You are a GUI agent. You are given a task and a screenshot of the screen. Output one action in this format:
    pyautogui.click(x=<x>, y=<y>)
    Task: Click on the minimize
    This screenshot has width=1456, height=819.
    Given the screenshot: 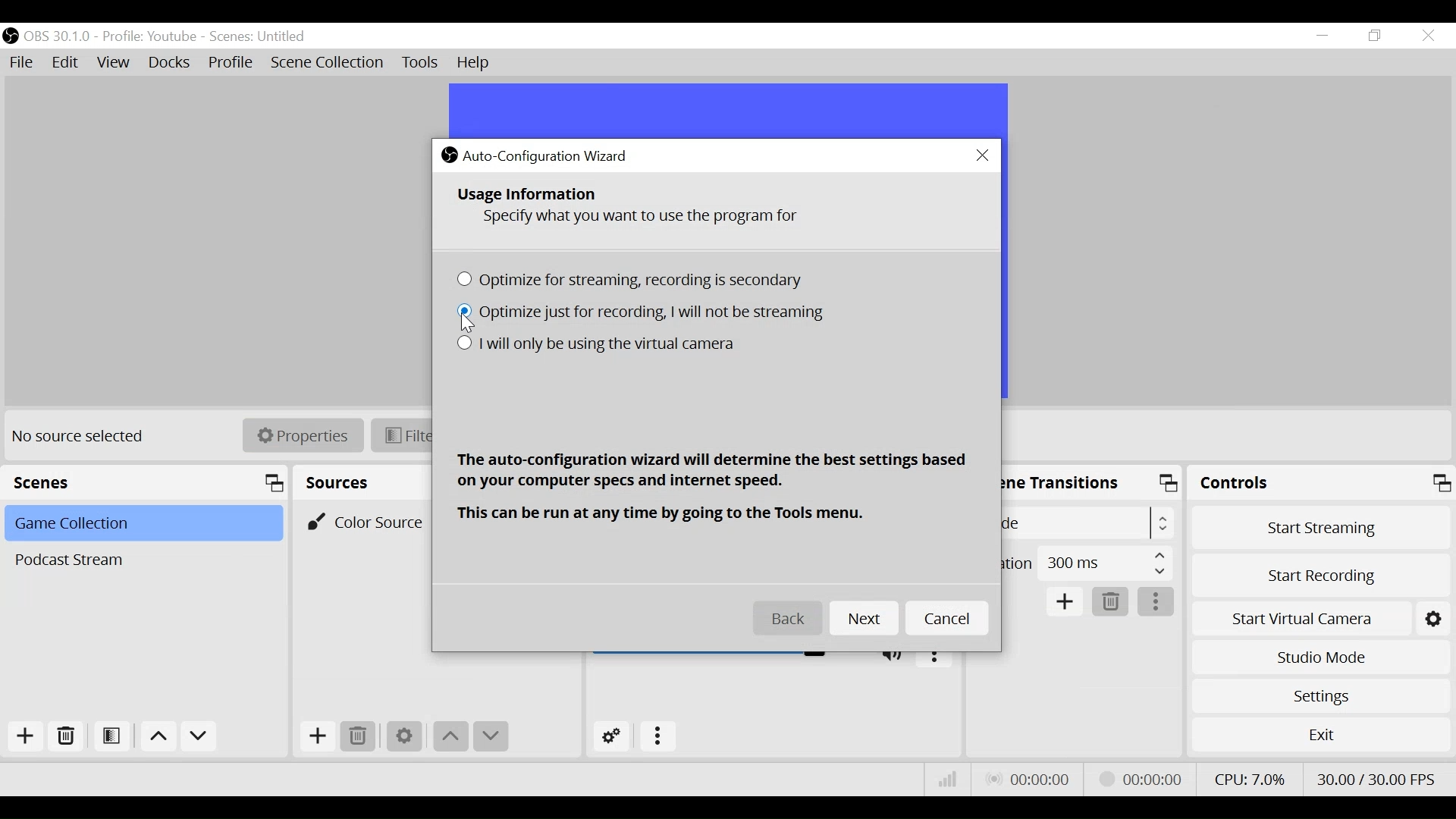 What is the action you would take?
    pyautogui.click(x=1321, y=35)
    